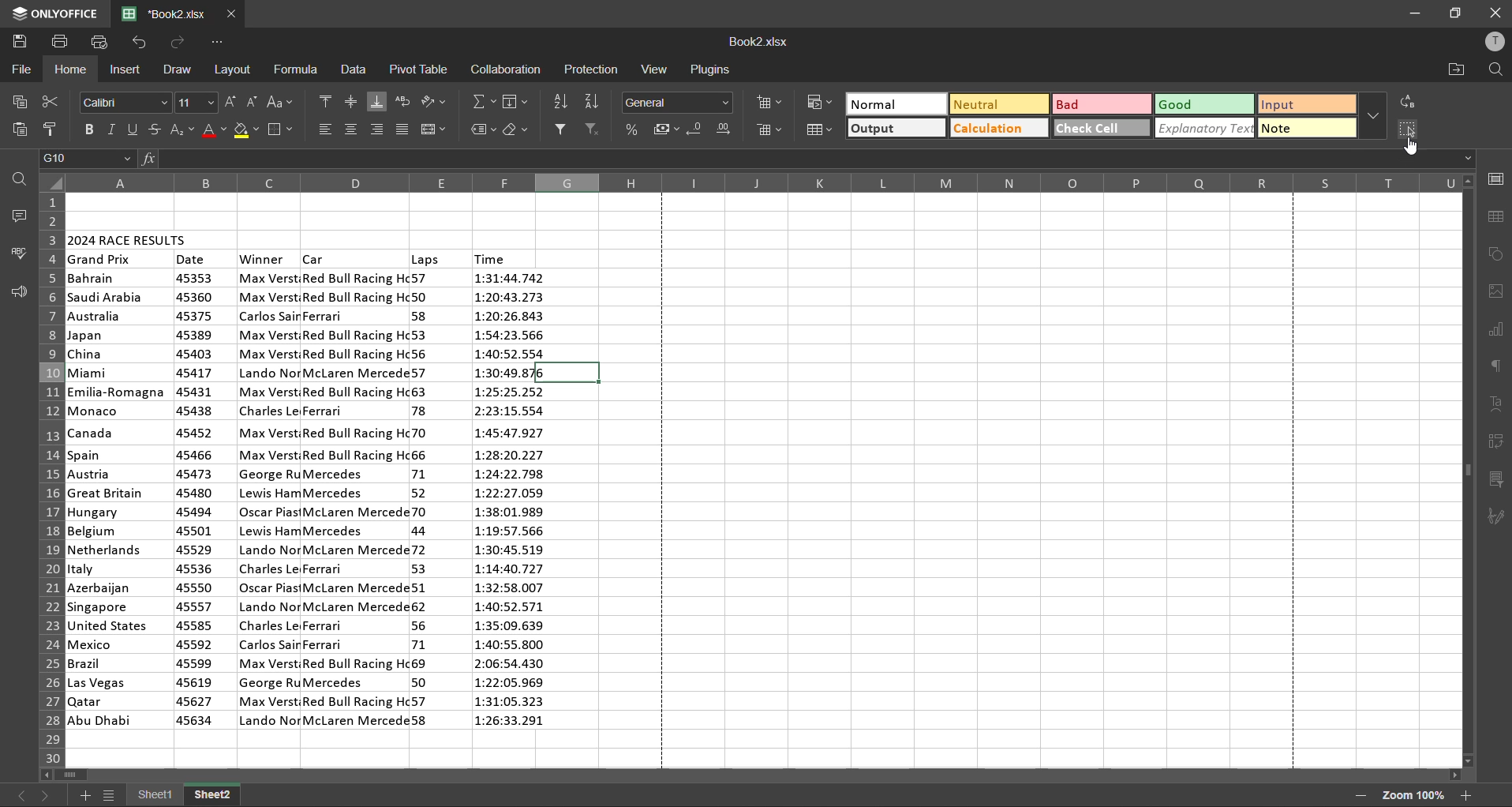  Describe the element at coordinates (178, 72) in the screenshot. I see `draw` at that location.